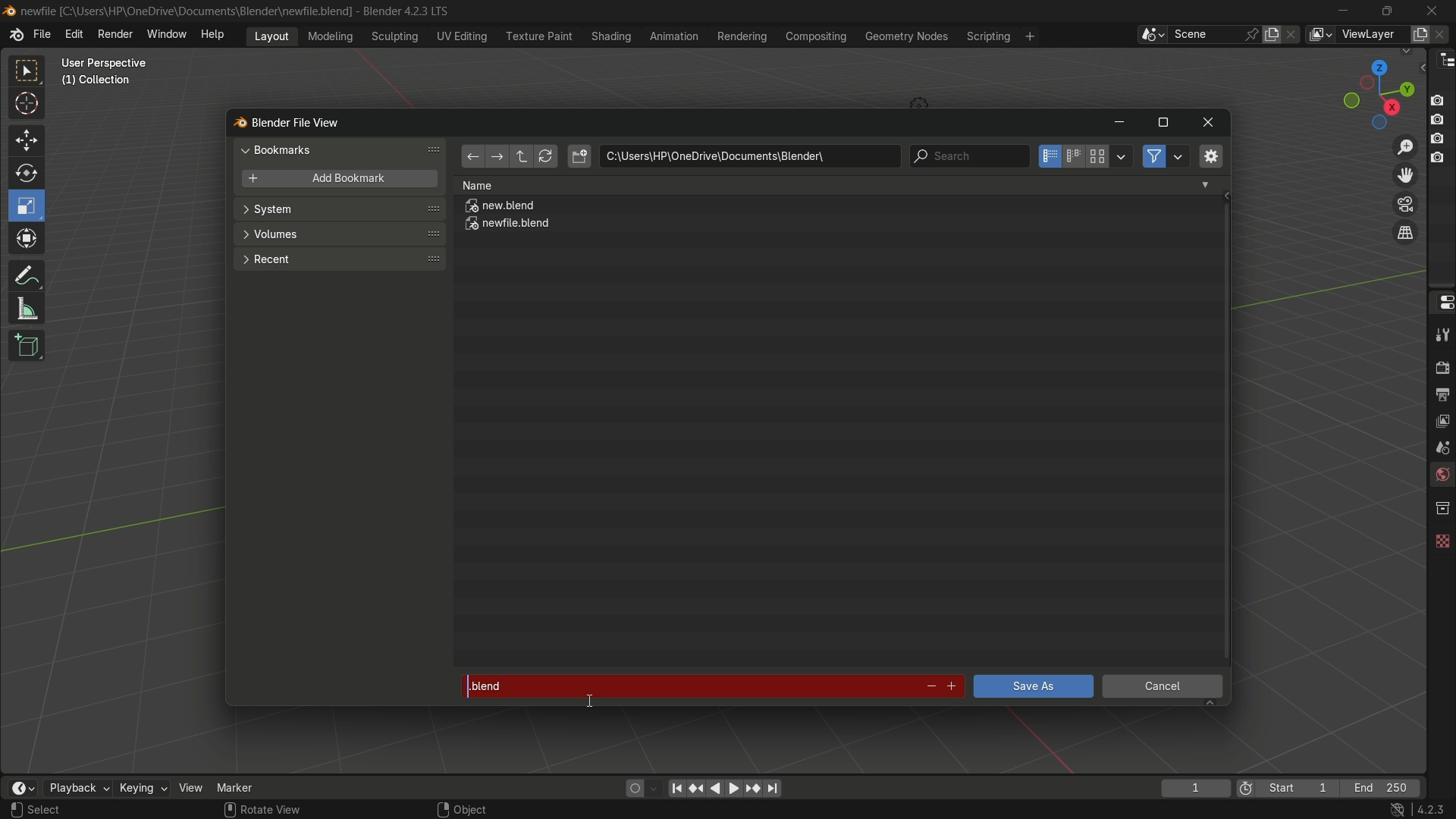  What do you see at coordinates (391, 36) in the screenshot?
I see `sculpting menu` at bounding box center [391, 36].